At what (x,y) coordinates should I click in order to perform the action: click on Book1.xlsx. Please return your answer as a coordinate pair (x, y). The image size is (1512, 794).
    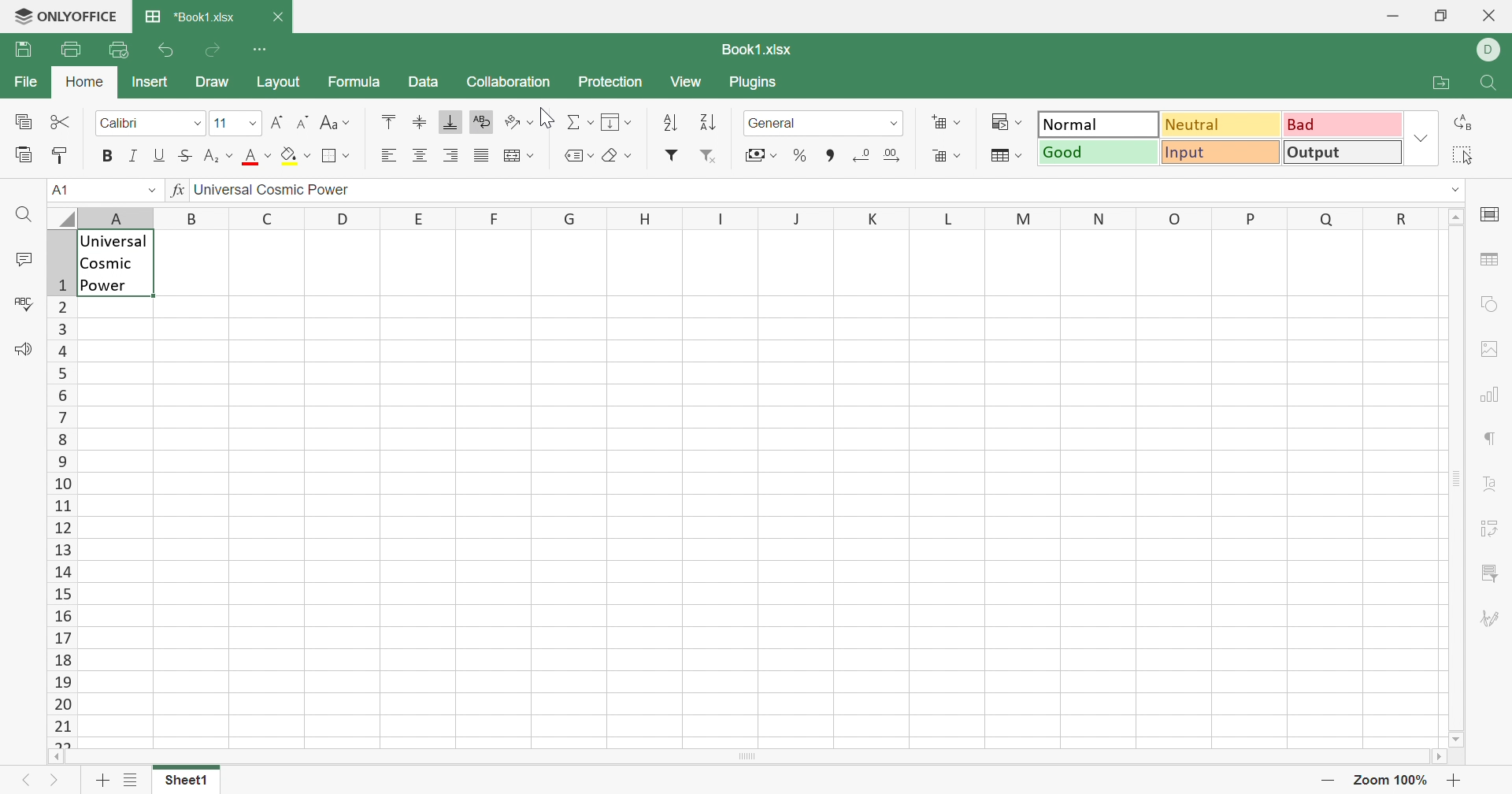
    Looking at the image, I should click on (755, 50).